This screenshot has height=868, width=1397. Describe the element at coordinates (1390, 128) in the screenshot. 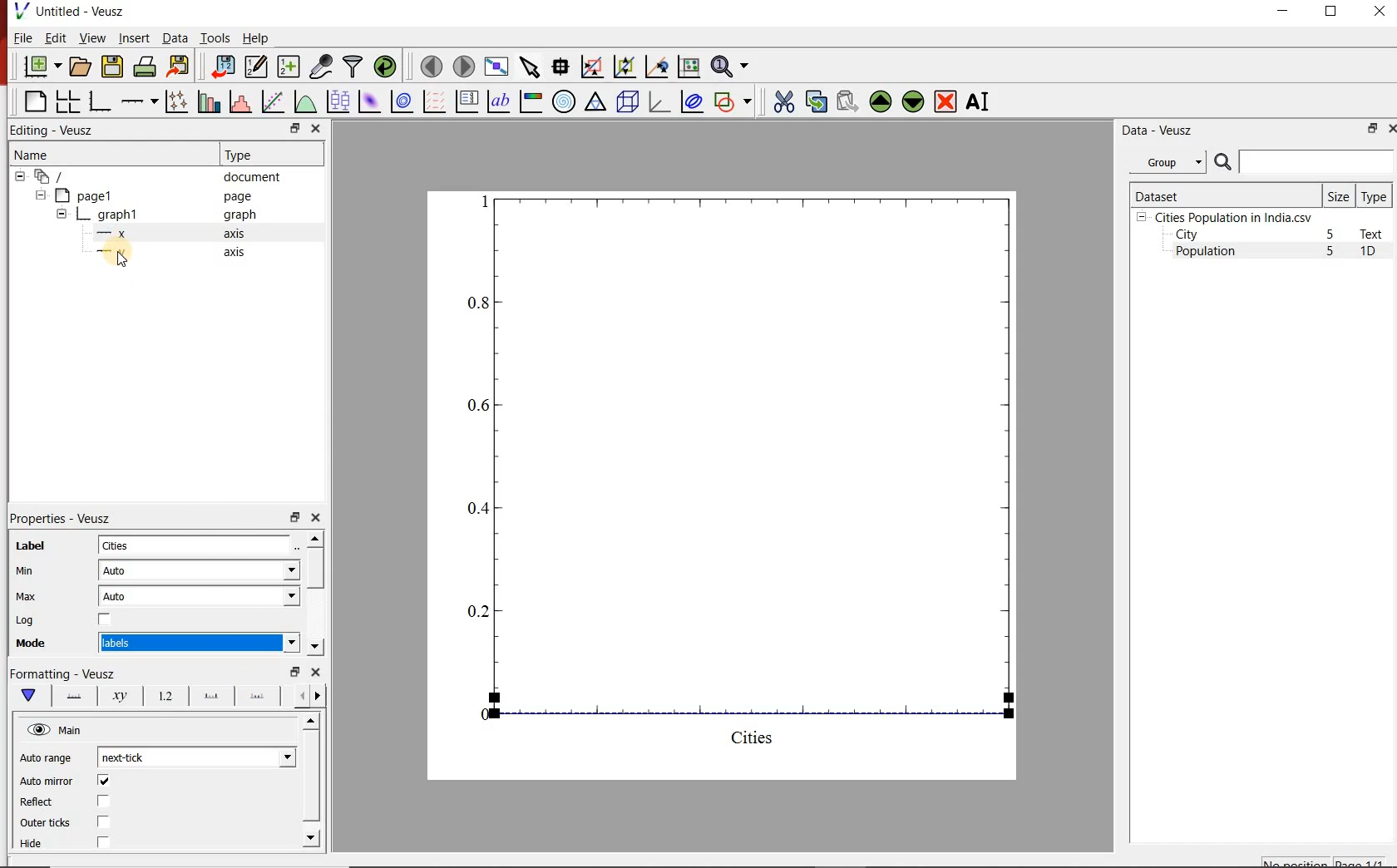

I see `close` at that location.